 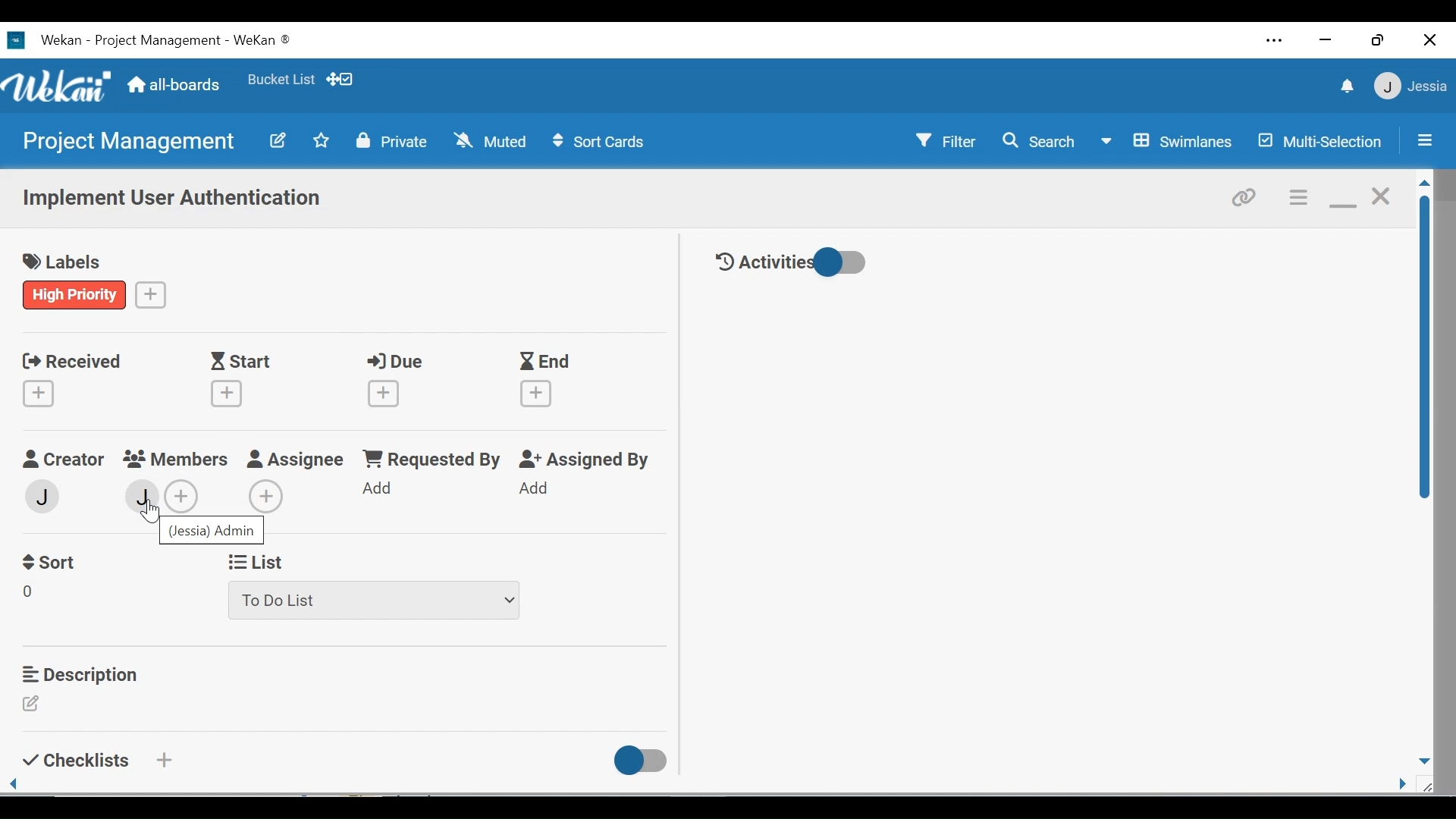 I want to click on minimize, so click(x=1341, y=196).